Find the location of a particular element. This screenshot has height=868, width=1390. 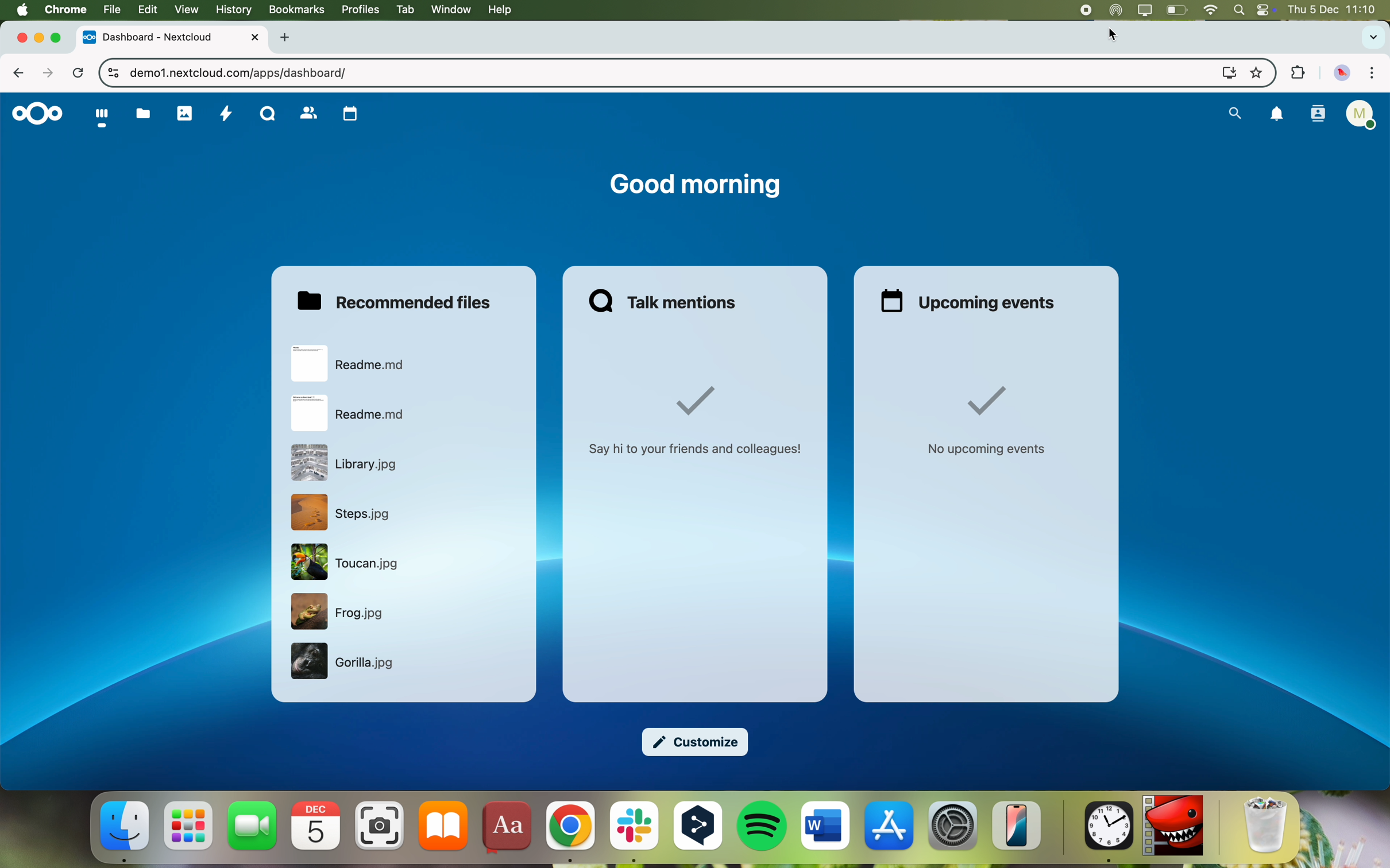

file is located at coordinates (341, 613).